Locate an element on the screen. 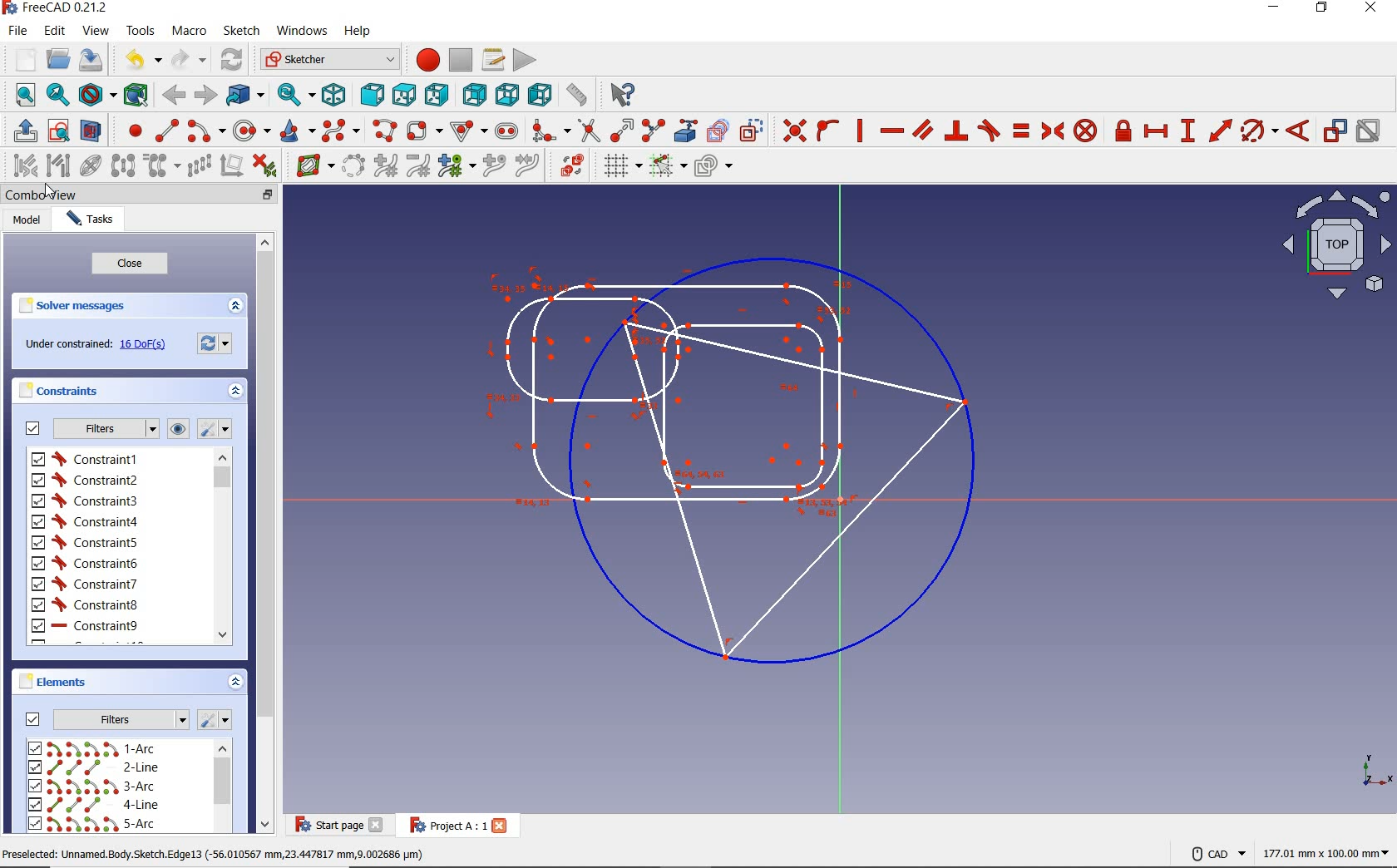  go to linked object is located at coordinates (244, 96).